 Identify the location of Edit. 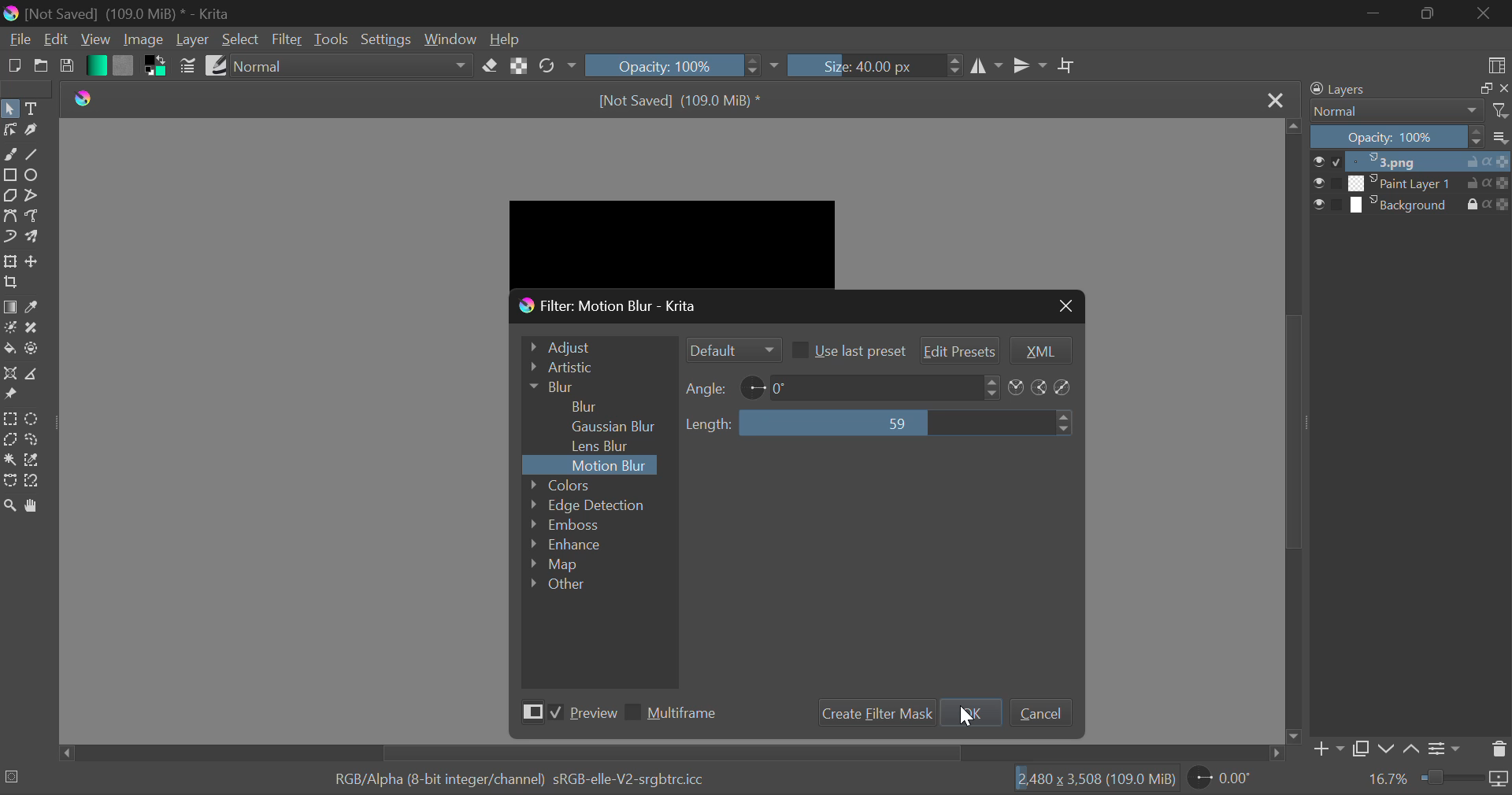
(57, 39).